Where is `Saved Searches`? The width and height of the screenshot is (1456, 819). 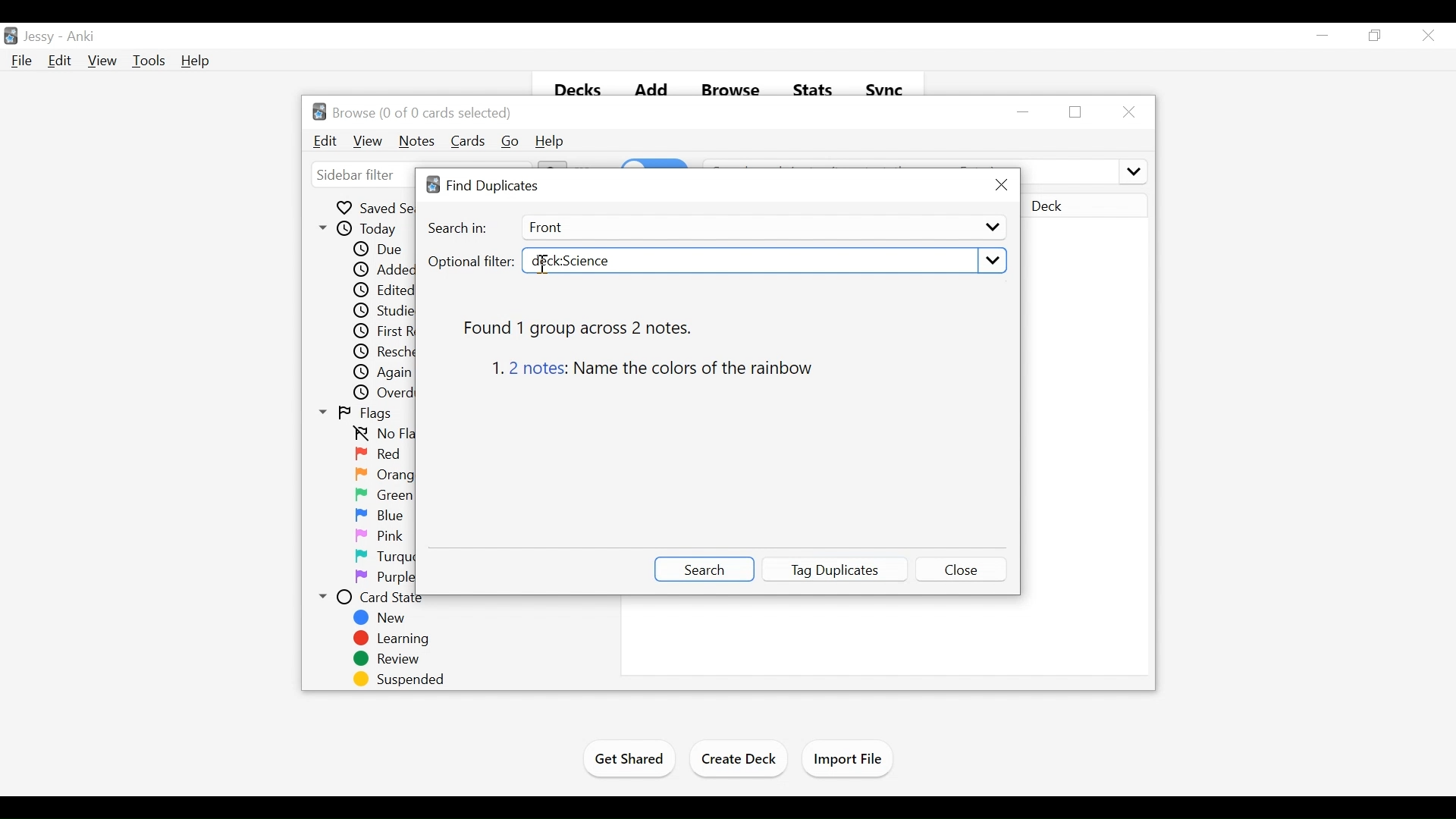
Saved Searches is located at coordinates (375, 207).